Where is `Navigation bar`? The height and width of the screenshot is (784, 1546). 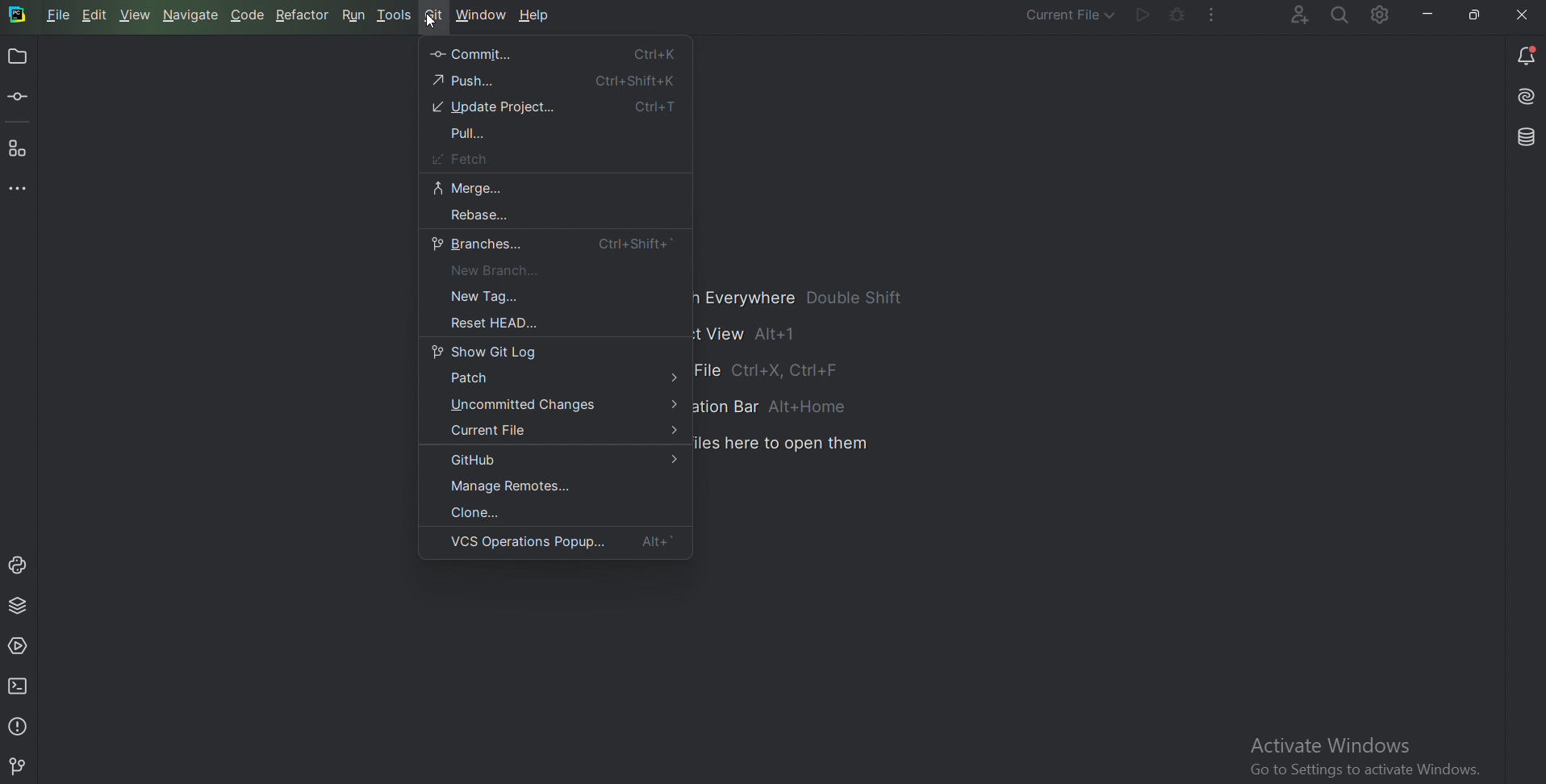 Navigation bar is located at coordinates (779, 407).